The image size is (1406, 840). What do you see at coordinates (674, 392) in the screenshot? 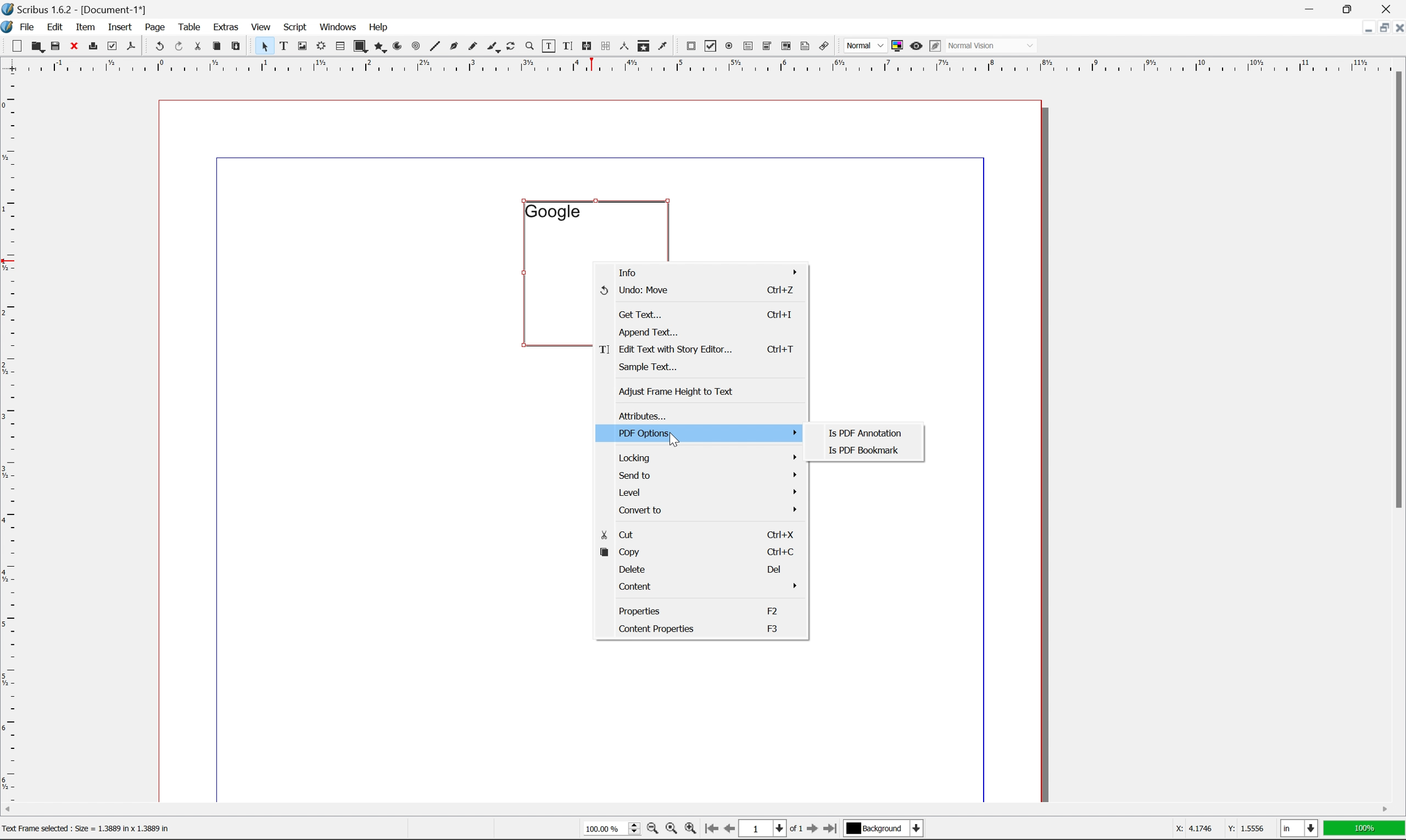
I see `adjust frame height to text` at bounding box center [674, 392].